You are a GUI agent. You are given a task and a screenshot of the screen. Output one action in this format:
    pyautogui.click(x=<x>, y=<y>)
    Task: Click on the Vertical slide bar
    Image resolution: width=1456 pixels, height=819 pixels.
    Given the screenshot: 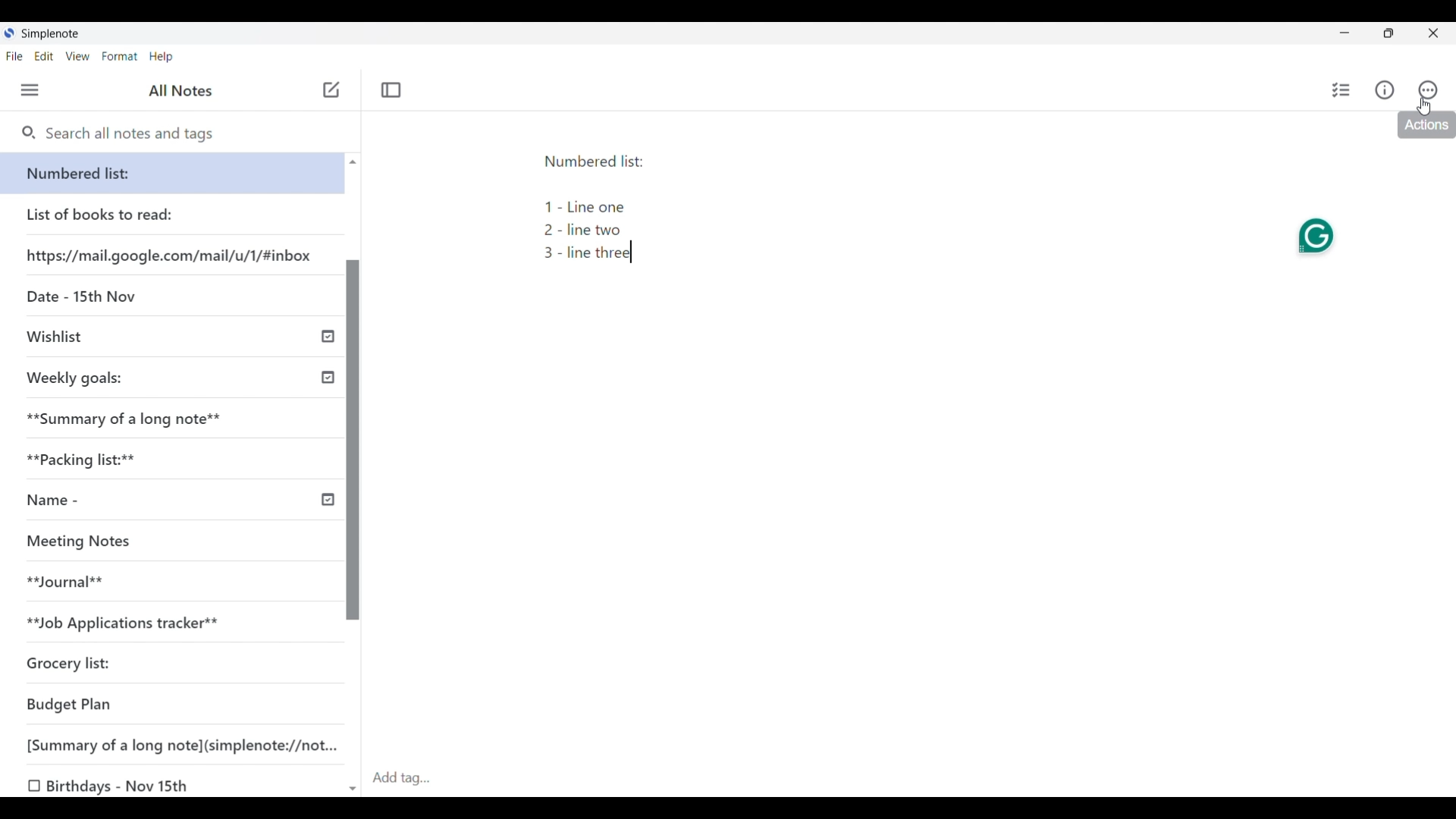 What is the action you would take?
    pyautogui.click(x=354, y=442)
    